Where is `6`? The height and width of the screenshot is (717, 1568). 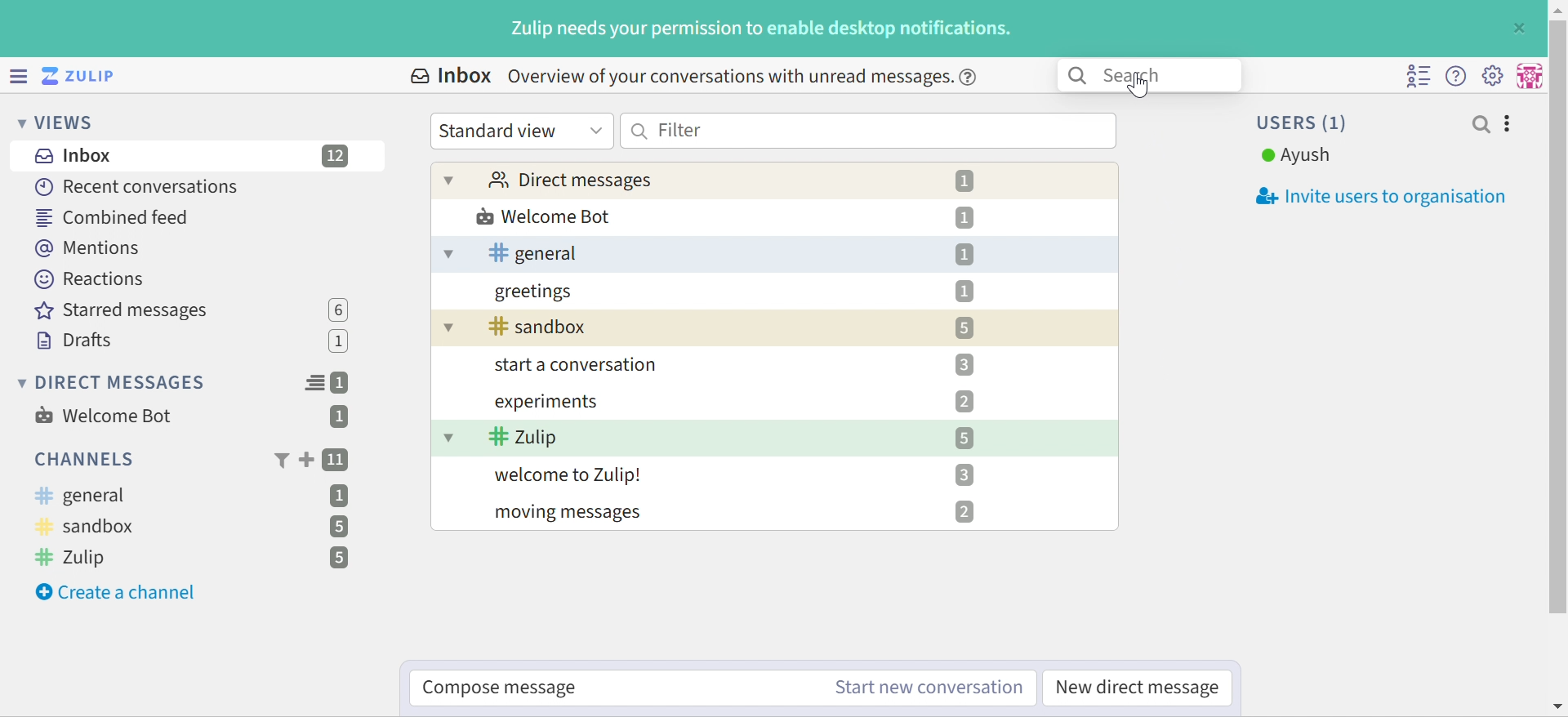
6 is located at coordinates (338, 310).